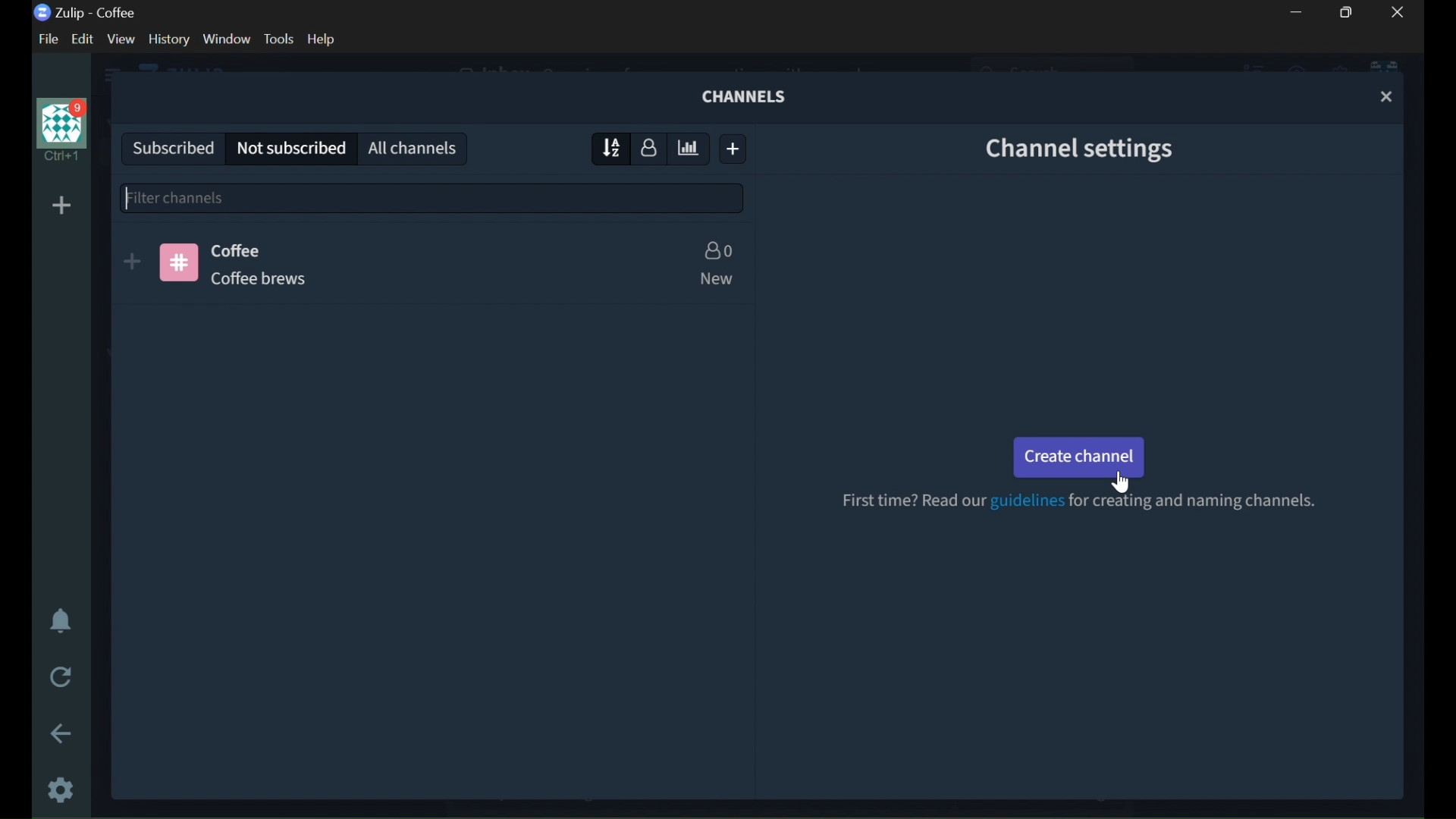  I want to click on ENABLE DO NOT DISTURBE, so click(61, 623).